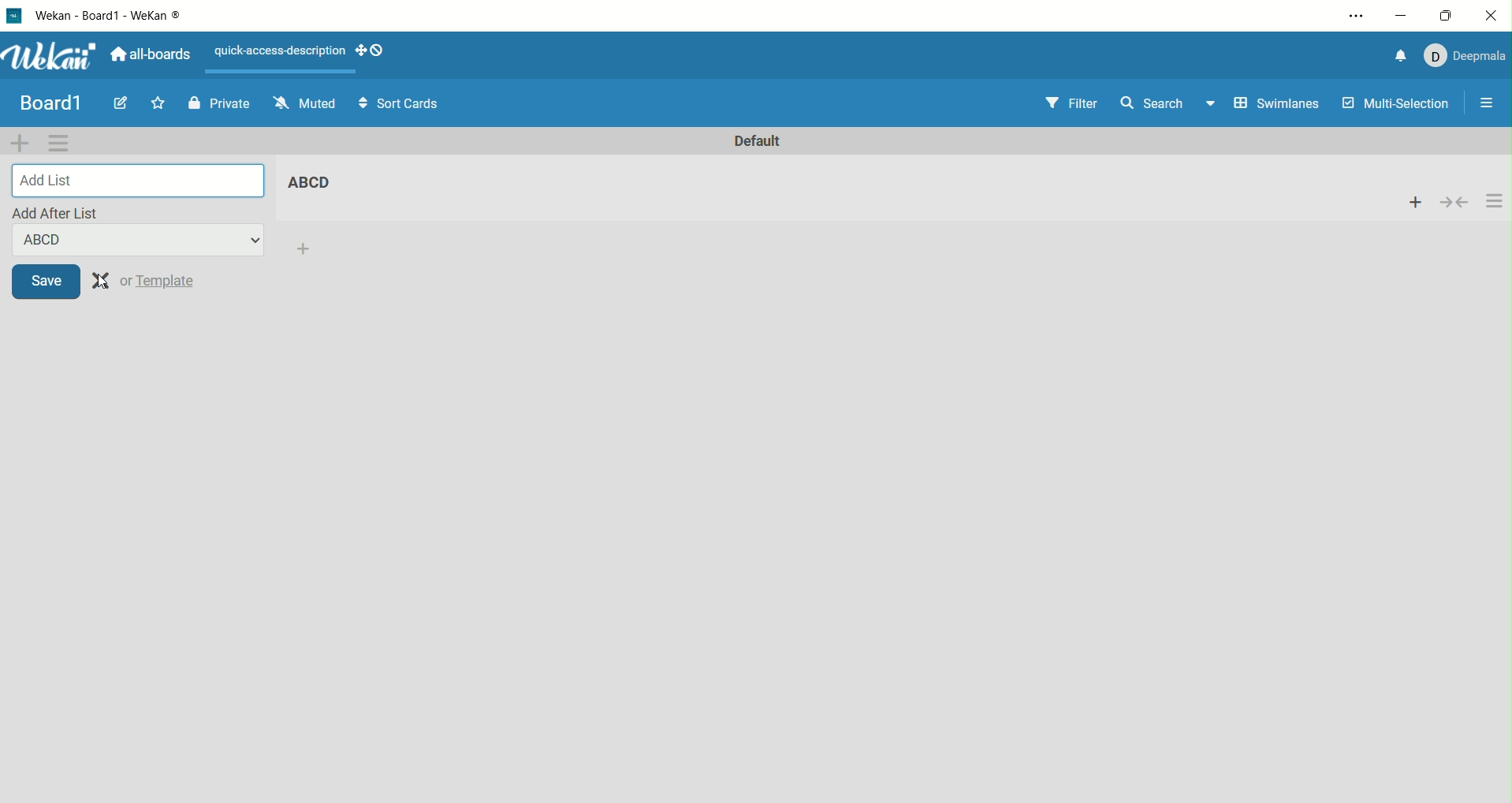  What do you see at coordinates (378, 50) in the screenshot?
I see `show-desktop-drag- handles` at bounding box center [378, 50].